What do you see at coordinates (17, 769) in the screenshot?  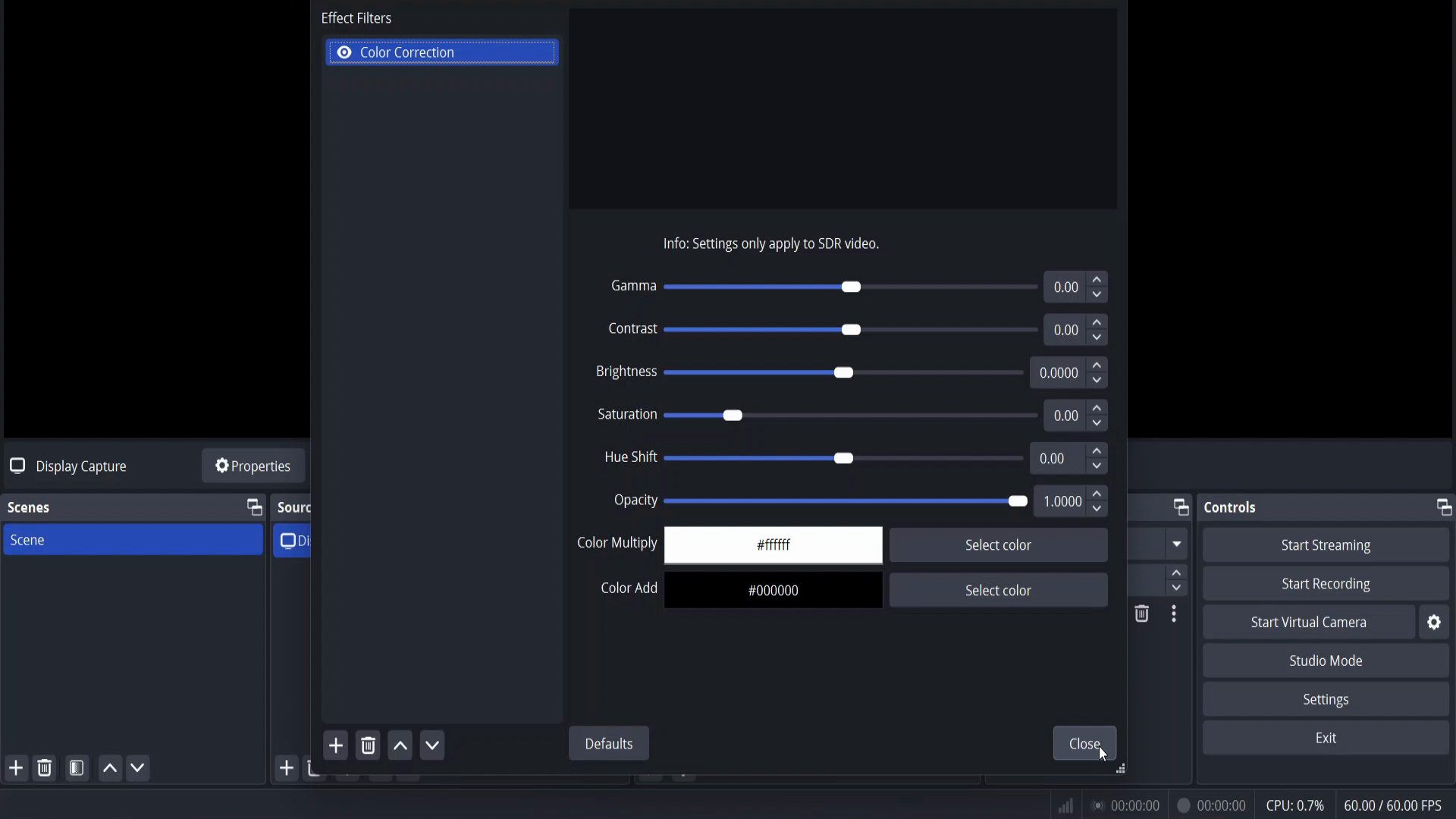 I see `add scene` at bounding box center [17, 769].